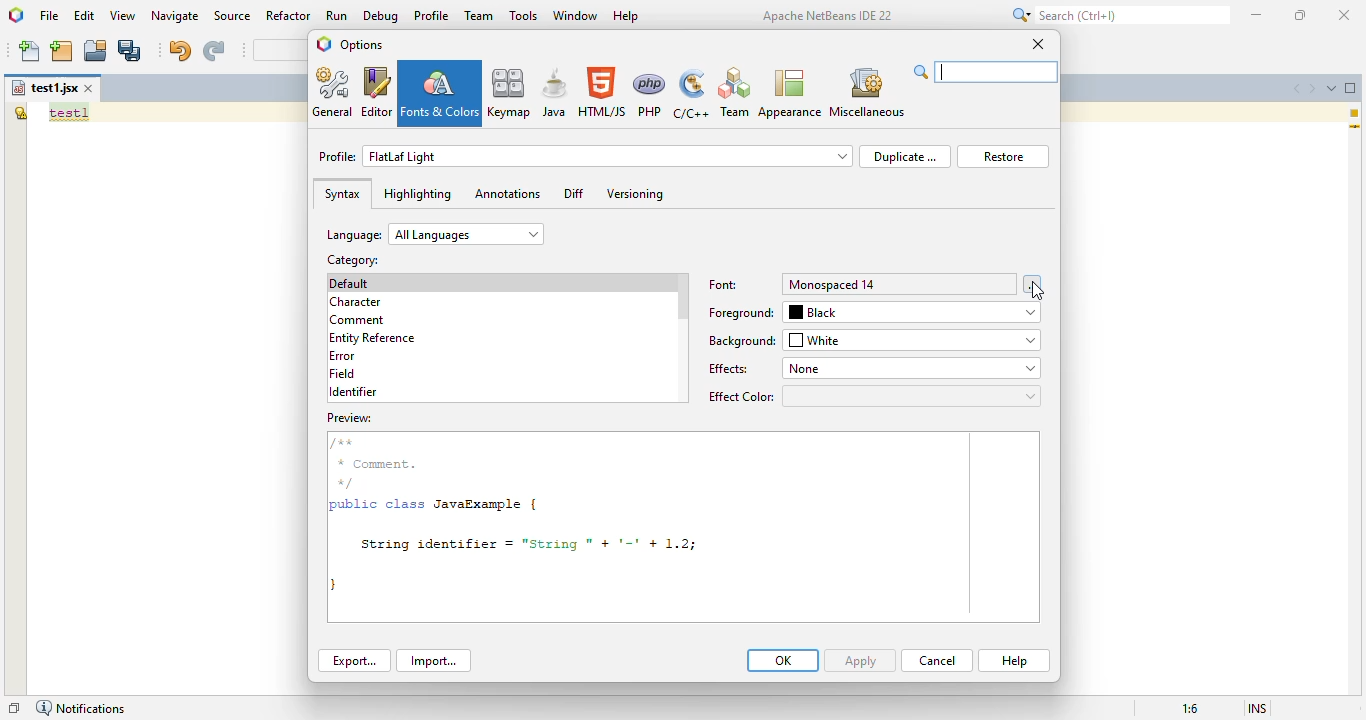  What do you see at coordinates (131, 50) in the screenshot?
I see `save all` at bounding box center [131, 50].